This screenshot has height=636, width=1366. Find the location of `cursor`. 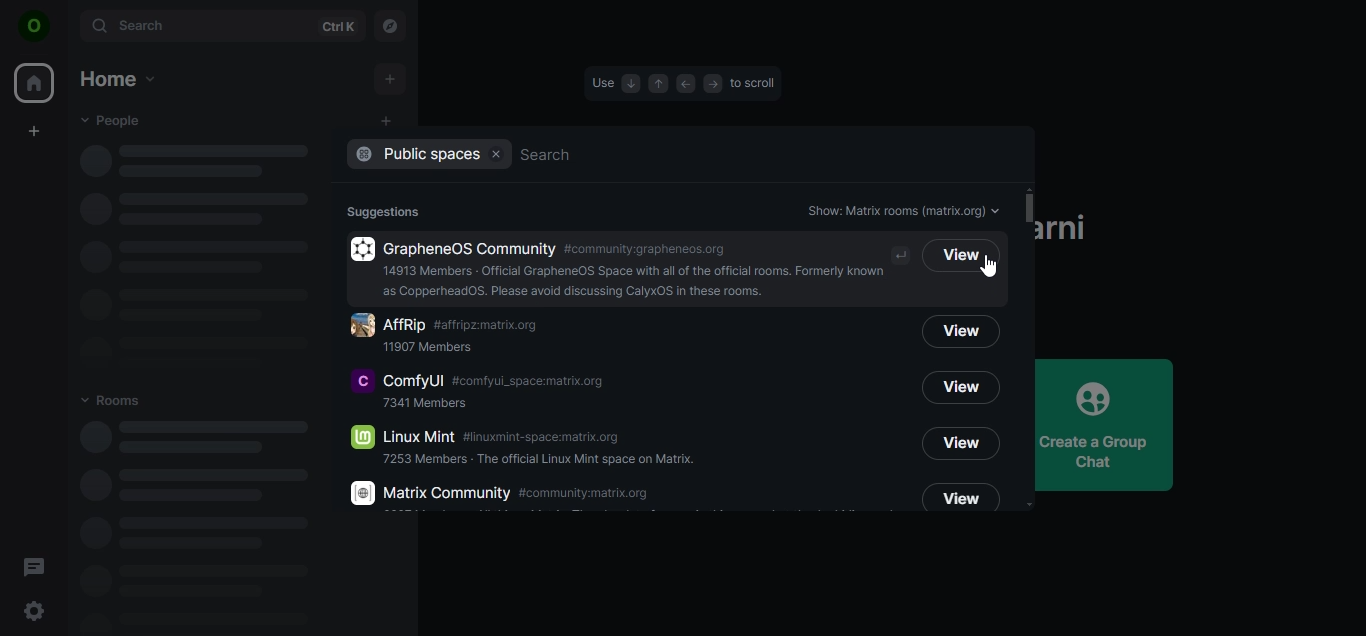

cursor is located at coordinates (988, 268).